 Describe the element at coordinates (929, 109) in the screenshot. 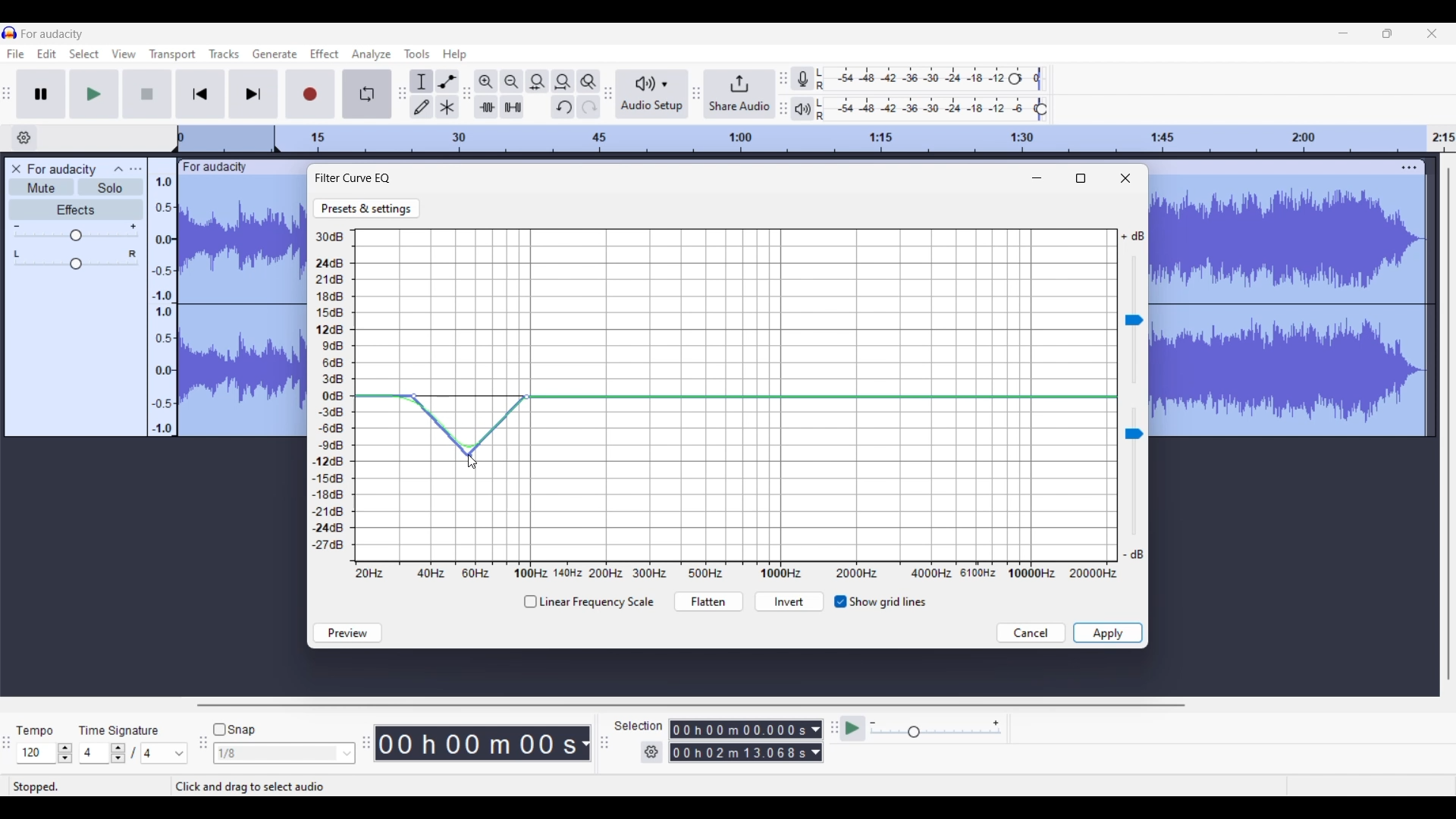

I see `Playback level` at that location.